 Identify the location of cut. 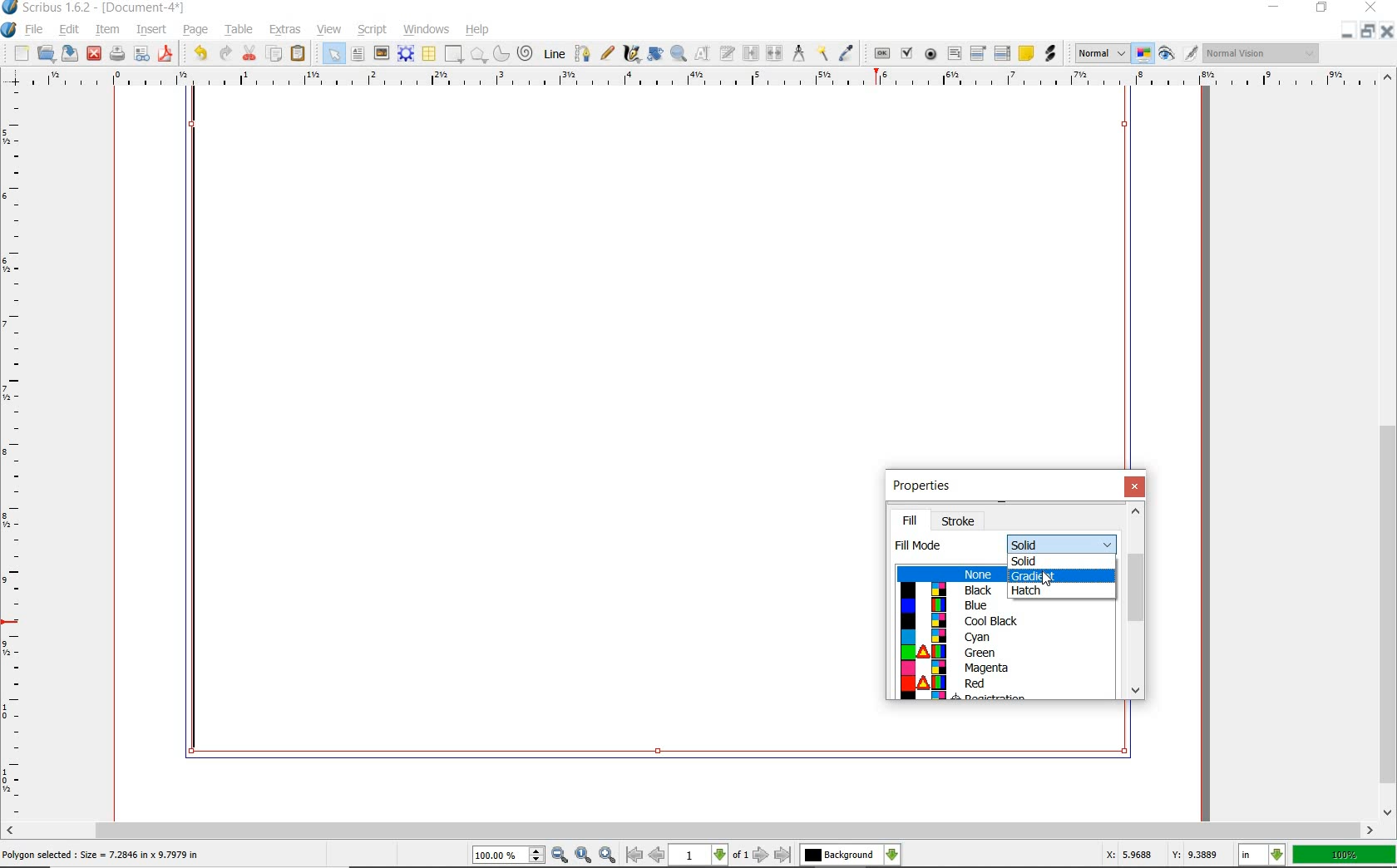
(250, 52).